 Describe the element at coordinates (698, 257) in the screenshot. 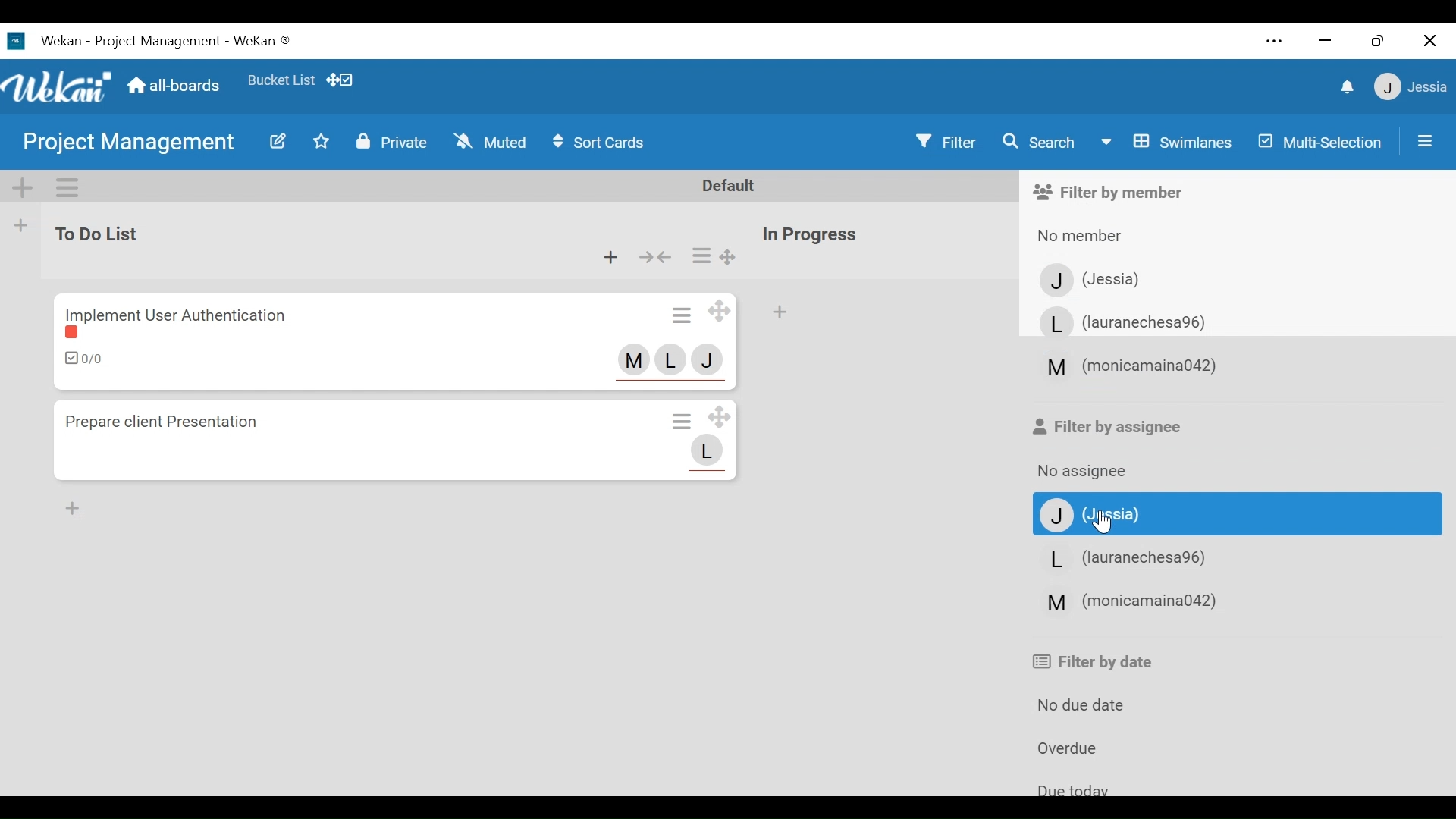

I see `list actions` at that location.